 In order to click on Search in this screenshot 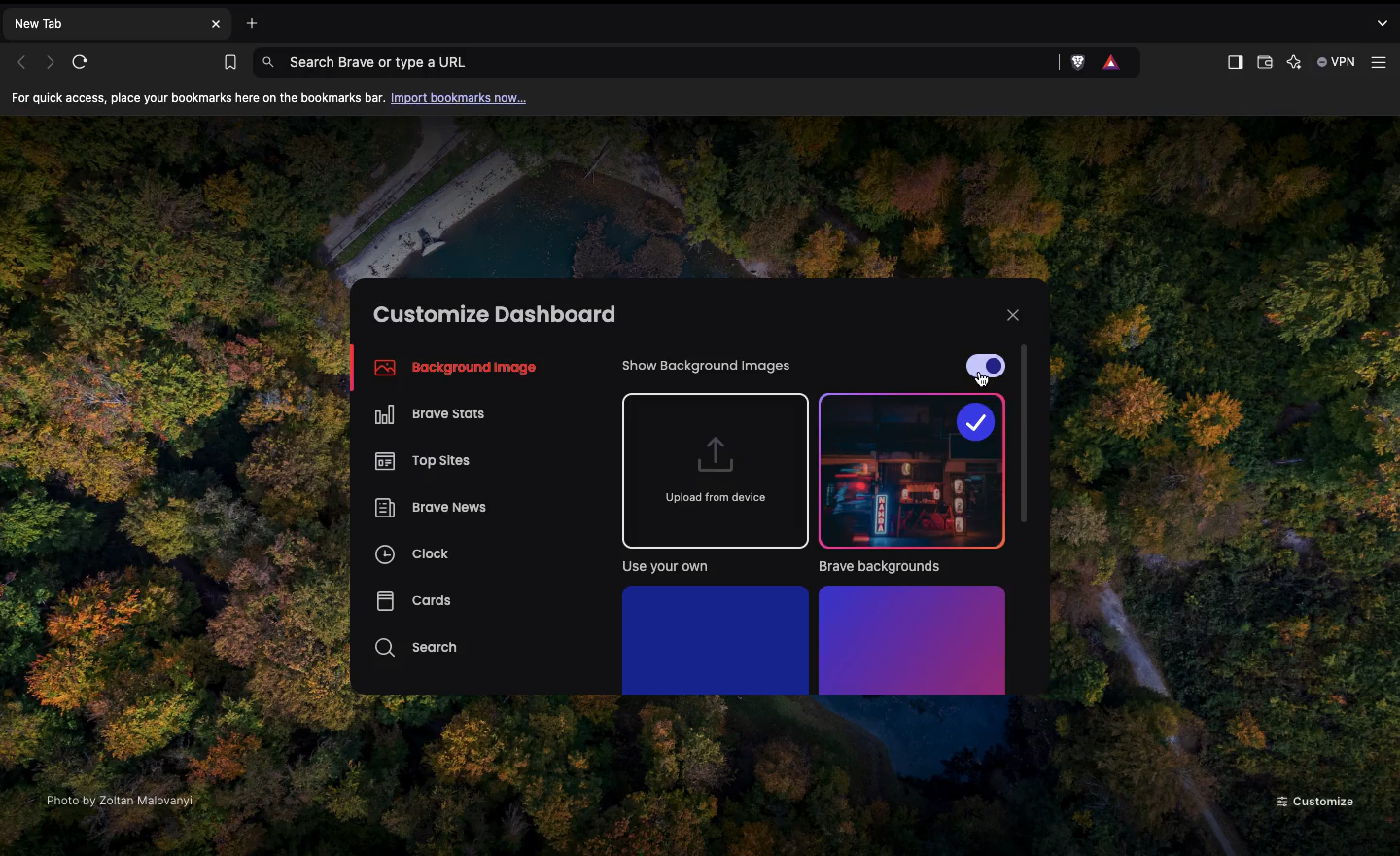, I will do `click(419, 648)`.